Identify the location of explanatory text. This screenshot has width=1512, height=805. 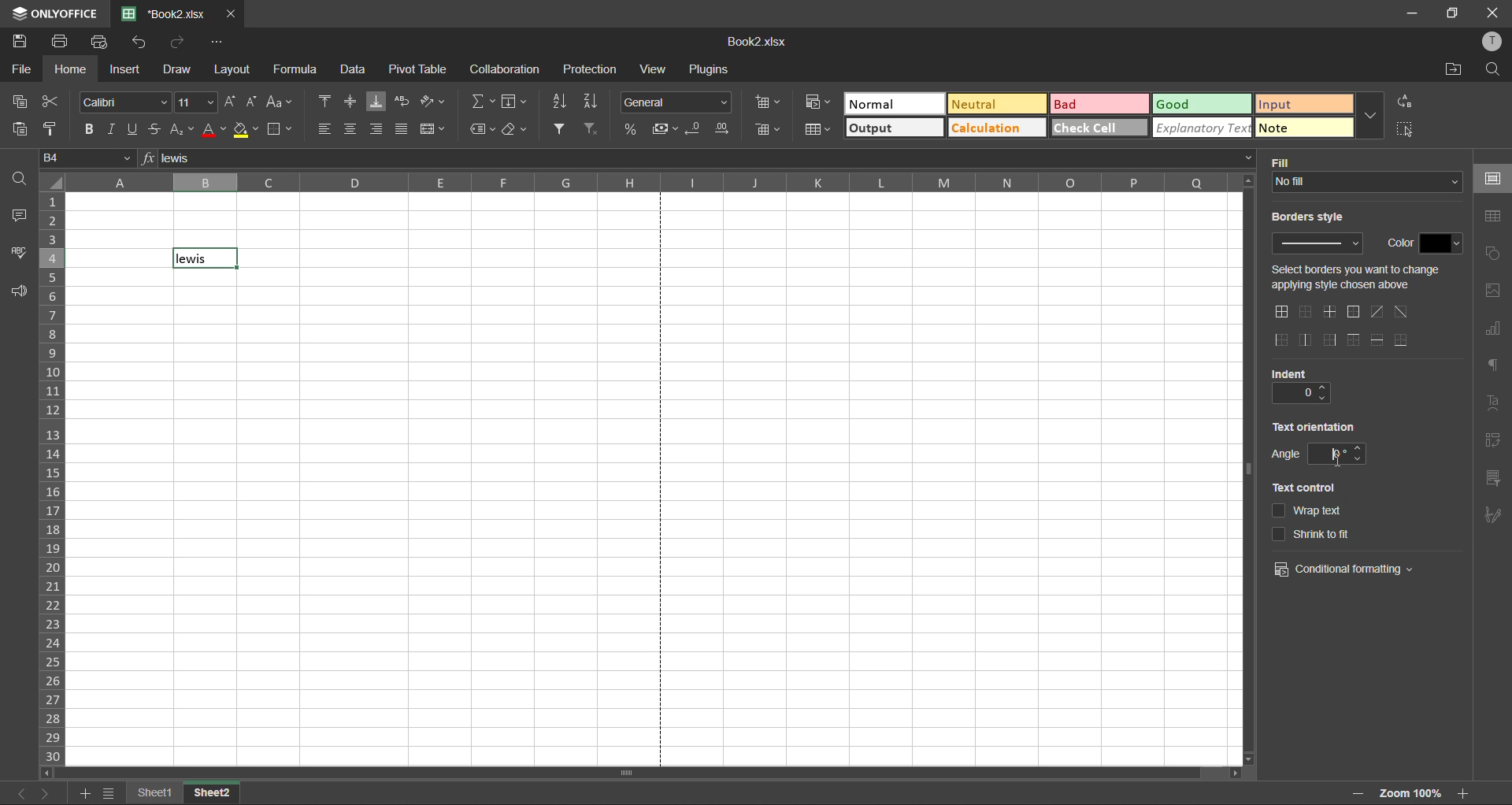
(1203, 129).